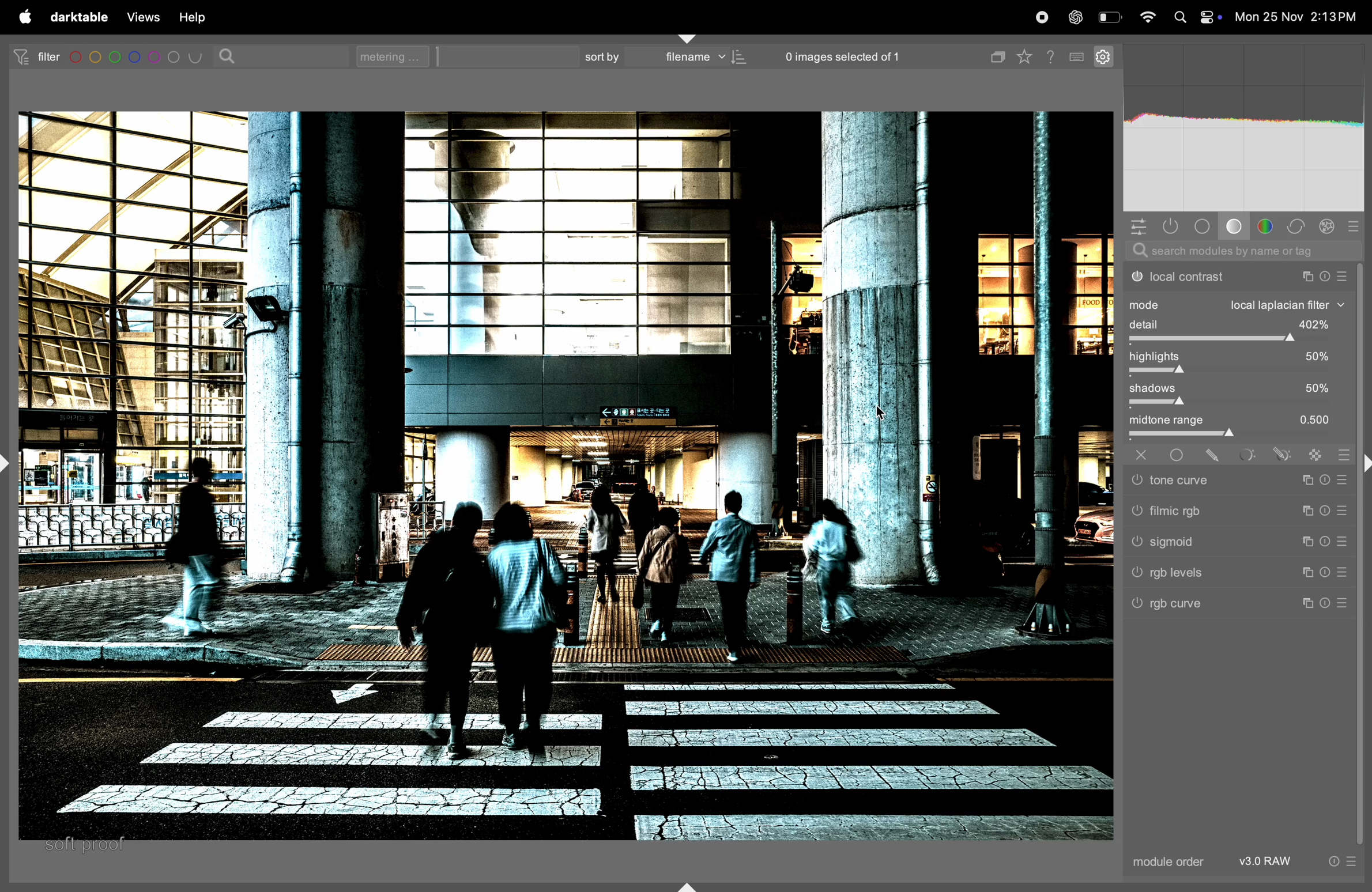 The image size is (1372, 892). Describe the element at coordinates (1355, 225) in the screenshot. I see `presets` at that location.